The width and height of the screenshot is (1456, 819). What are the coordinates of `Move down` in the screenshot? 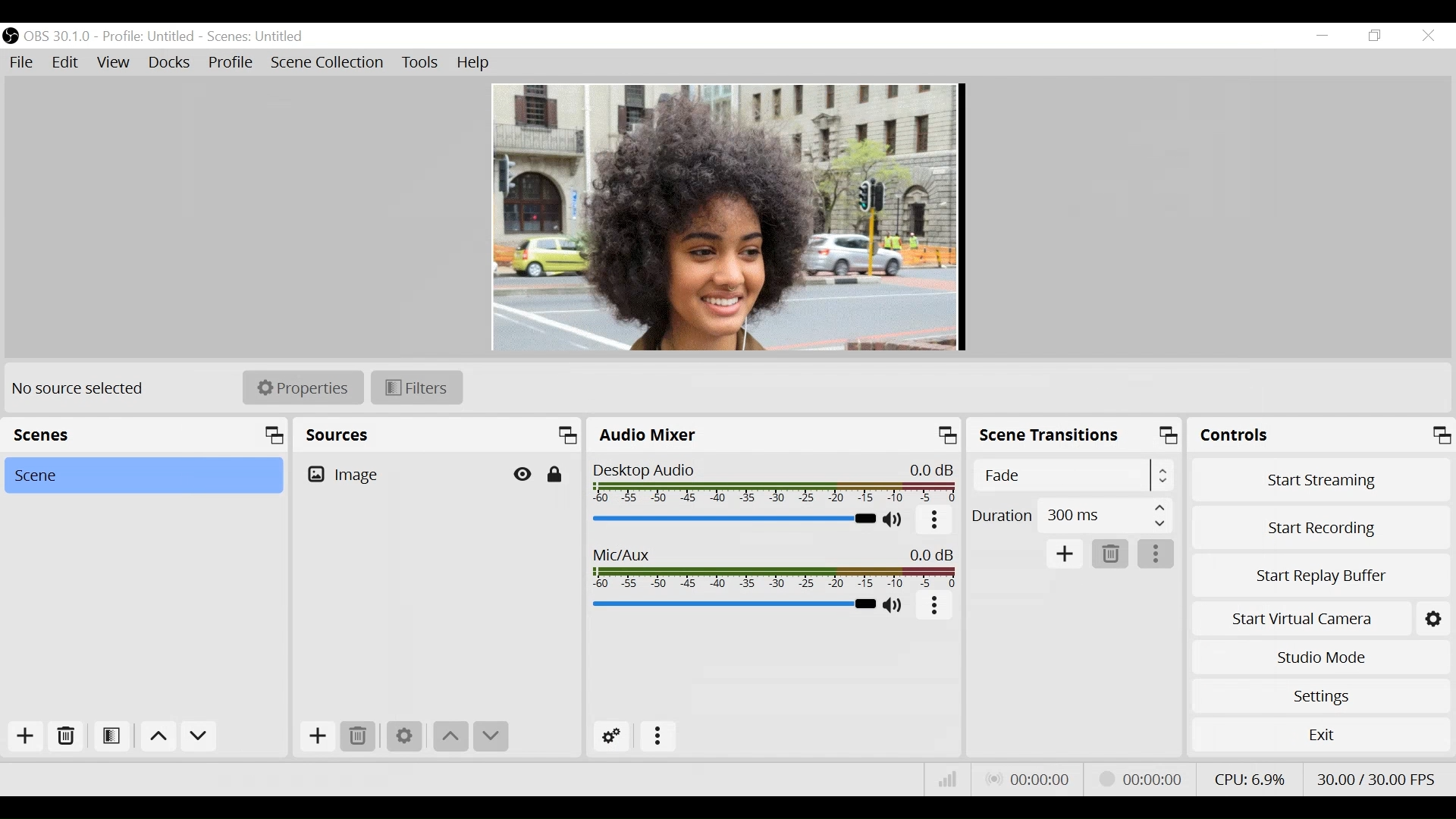 It's located at (451, 736).